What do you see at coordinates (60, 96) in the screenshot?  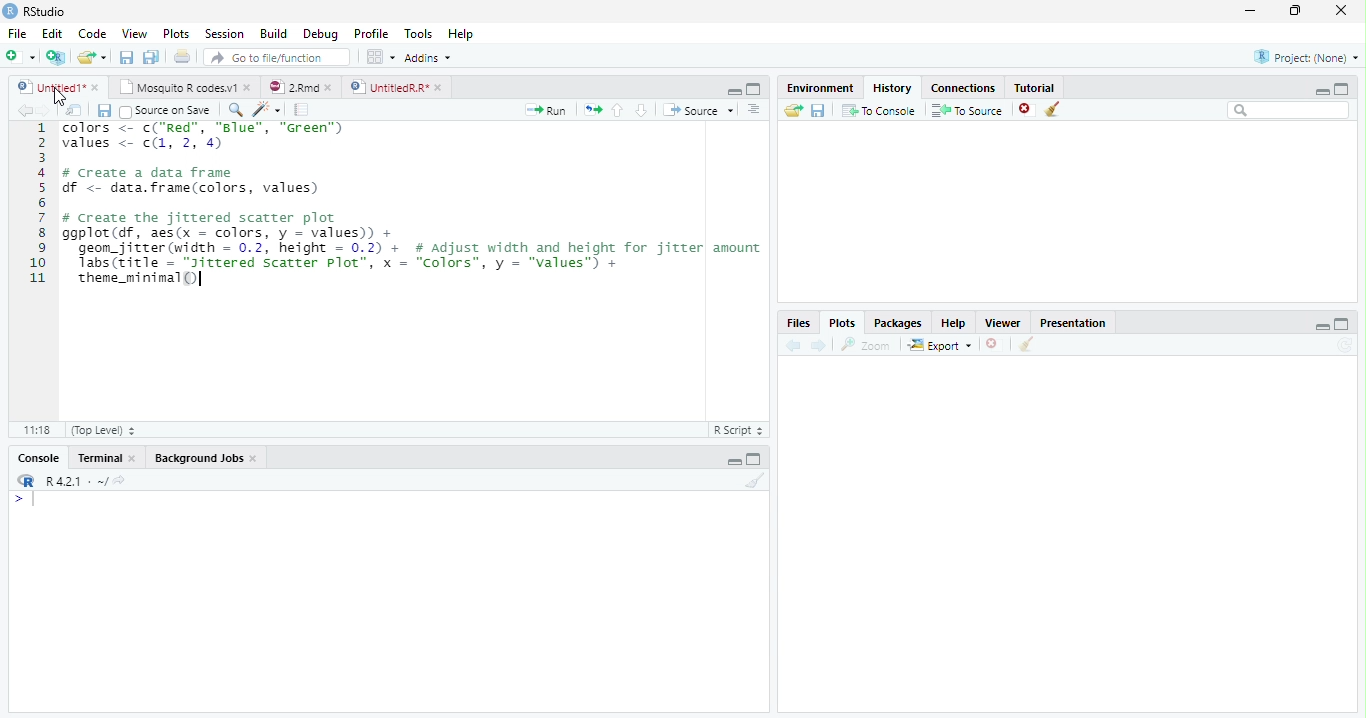 I see `cursor` at bounding box center [60, 96].